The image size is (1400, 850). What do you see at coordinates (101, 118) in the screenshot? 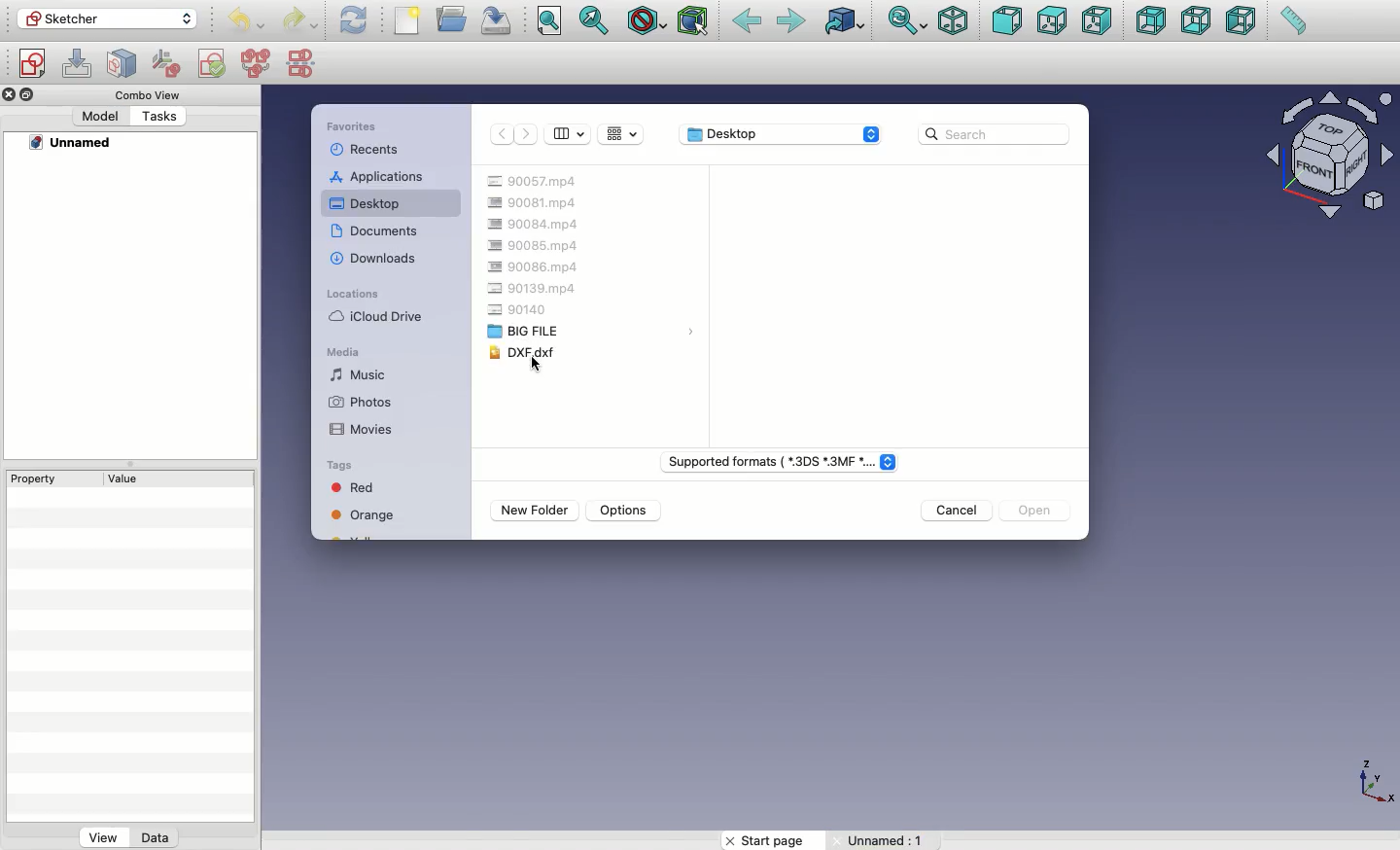
I see `Model` at bounding box center [101, 118].